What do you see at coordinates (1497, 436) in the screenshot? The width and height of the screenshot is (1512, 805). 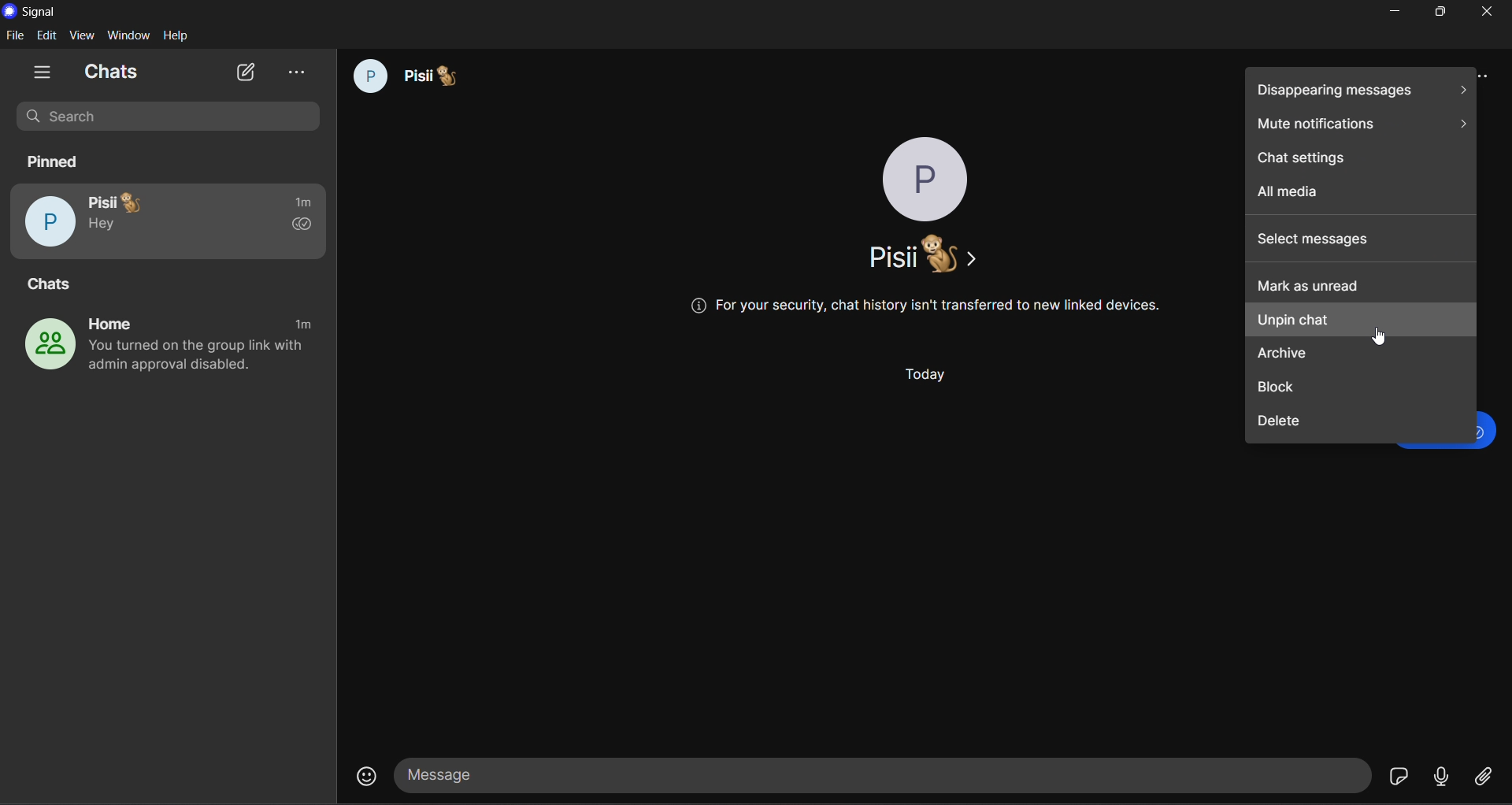 I see `text` at bounding box center [1497, 436].